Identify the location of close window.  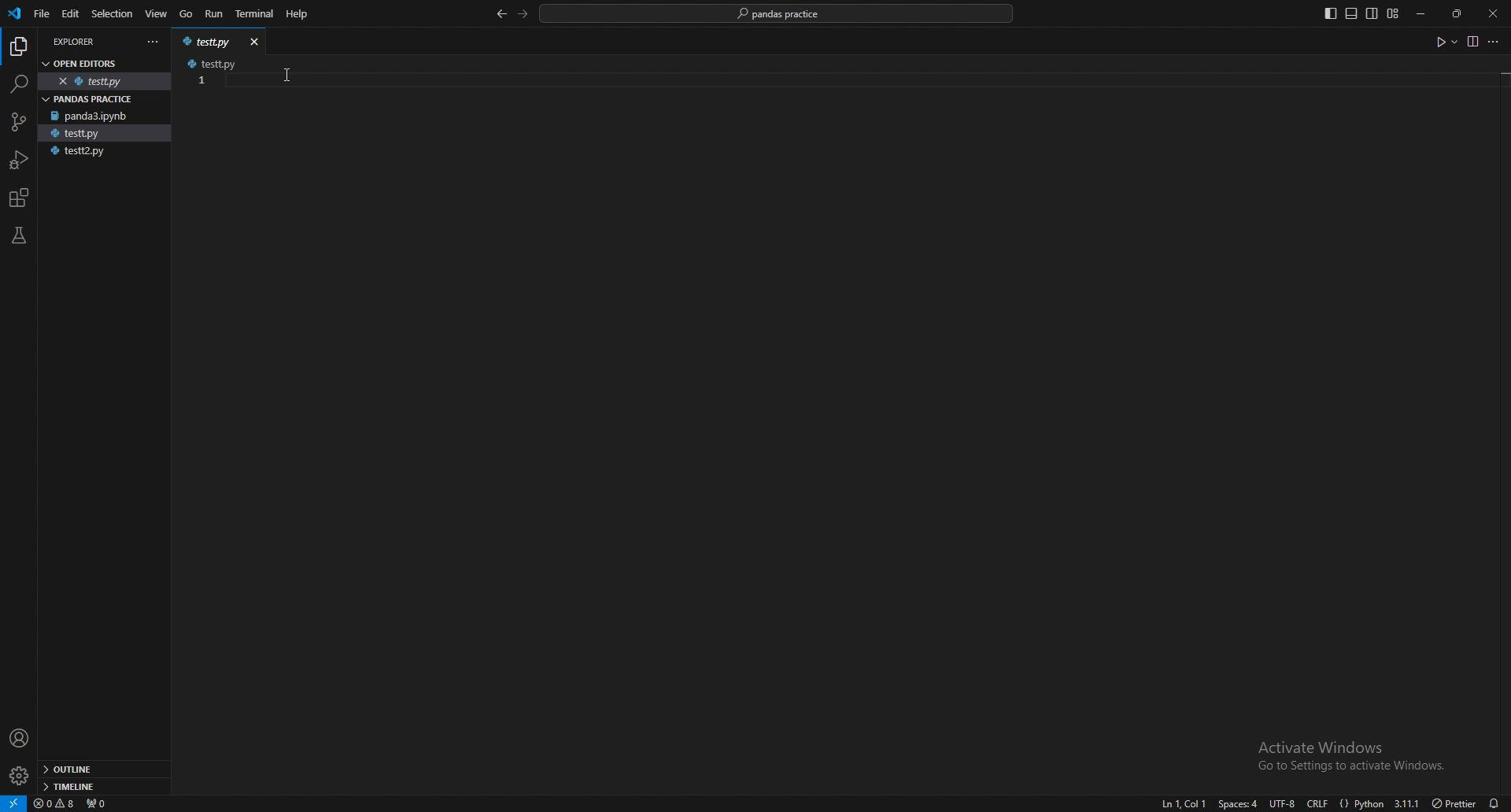
(256, 41).